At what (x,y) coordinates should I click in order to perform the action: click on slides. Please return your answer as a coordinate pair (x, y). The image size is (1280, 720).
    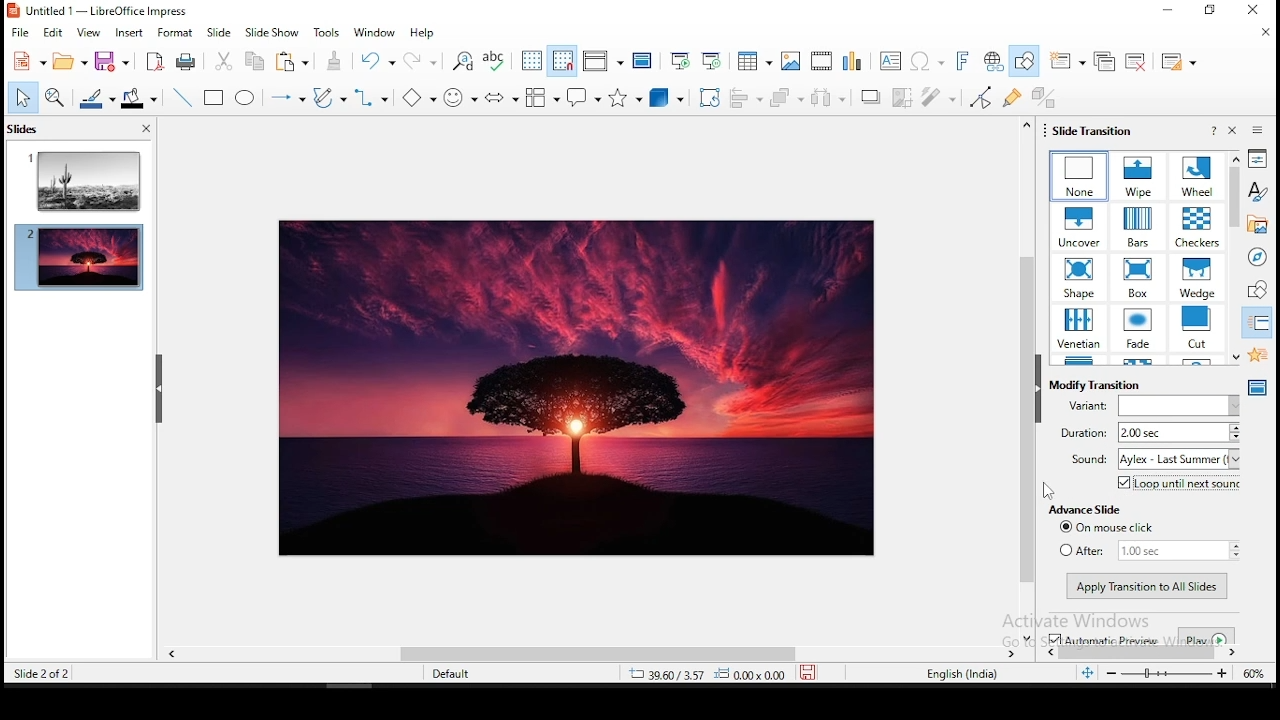
    Looking at the image, I should click on (26, 128).